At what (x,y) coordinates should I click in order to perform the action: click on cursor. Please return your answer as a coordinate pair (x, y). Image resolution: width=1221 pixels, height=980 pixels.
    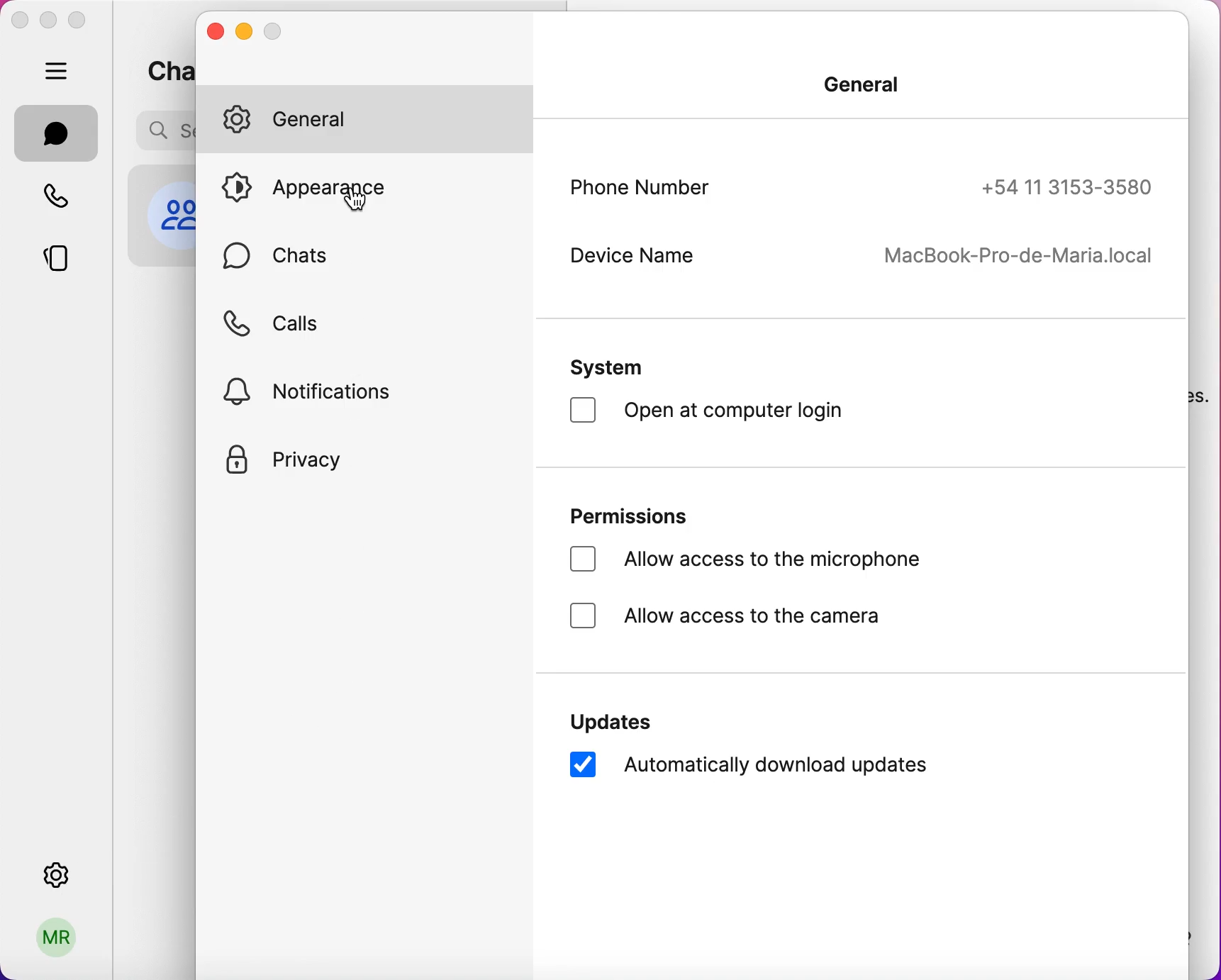
    Looking at the image, I should click on (356, 201).